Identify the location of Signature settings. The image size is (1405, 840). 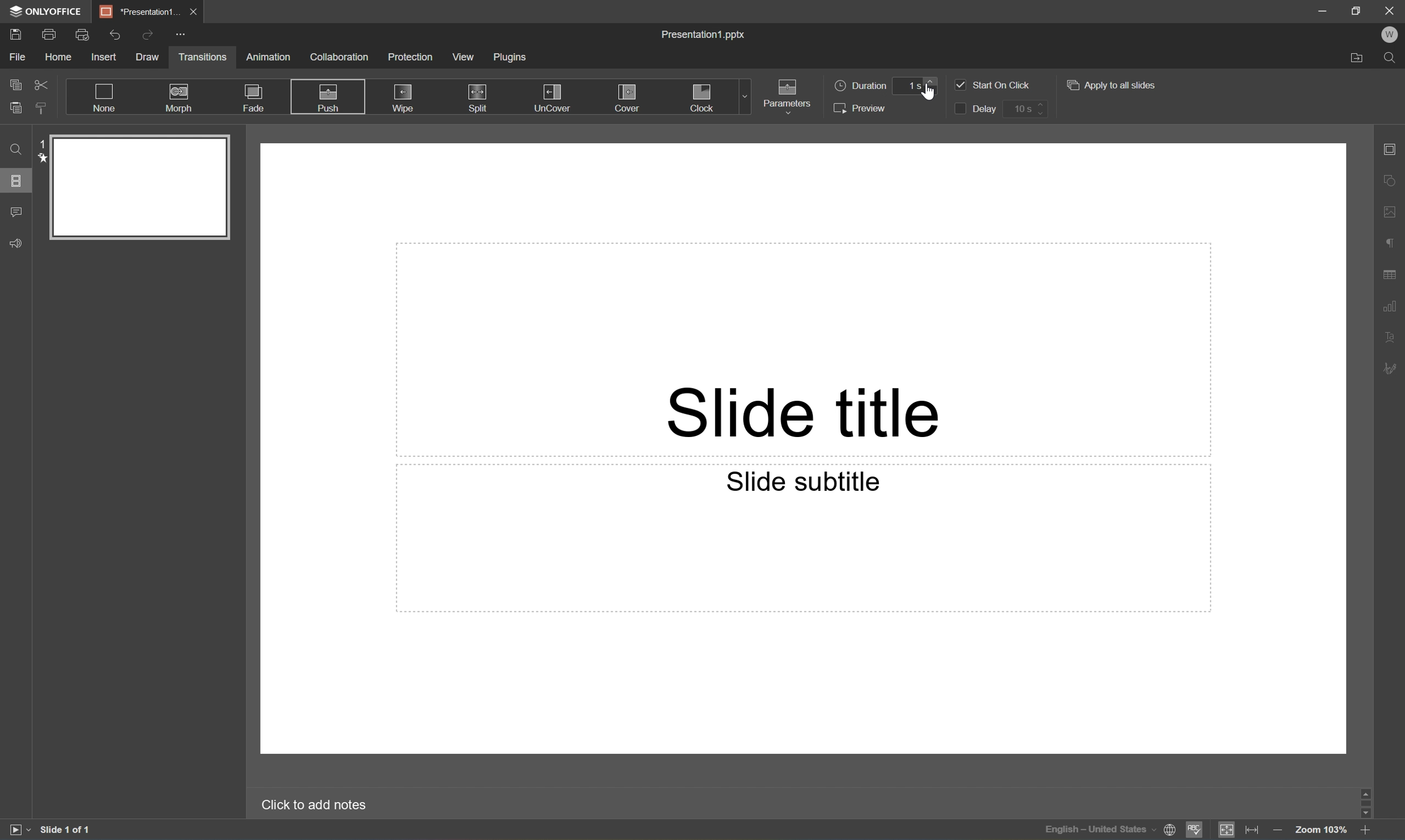
(1392, 371).